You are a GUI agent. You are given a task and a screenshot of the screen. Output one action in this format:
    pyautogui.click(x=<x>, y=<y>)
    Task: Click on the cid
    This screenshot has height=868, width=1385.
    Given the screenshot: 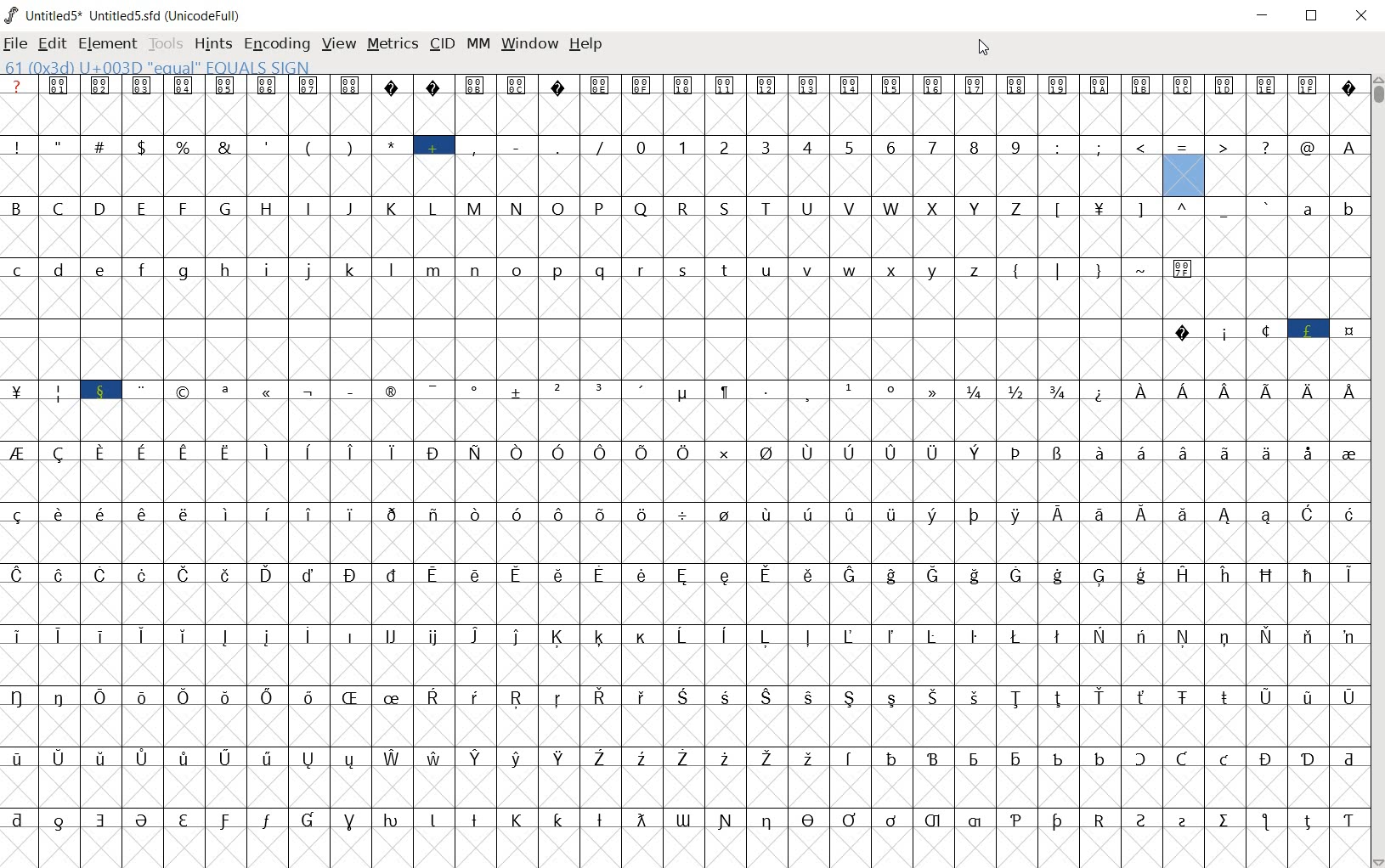 What is the action you would take?
    pyautogui.click(x=441, y=42)
    